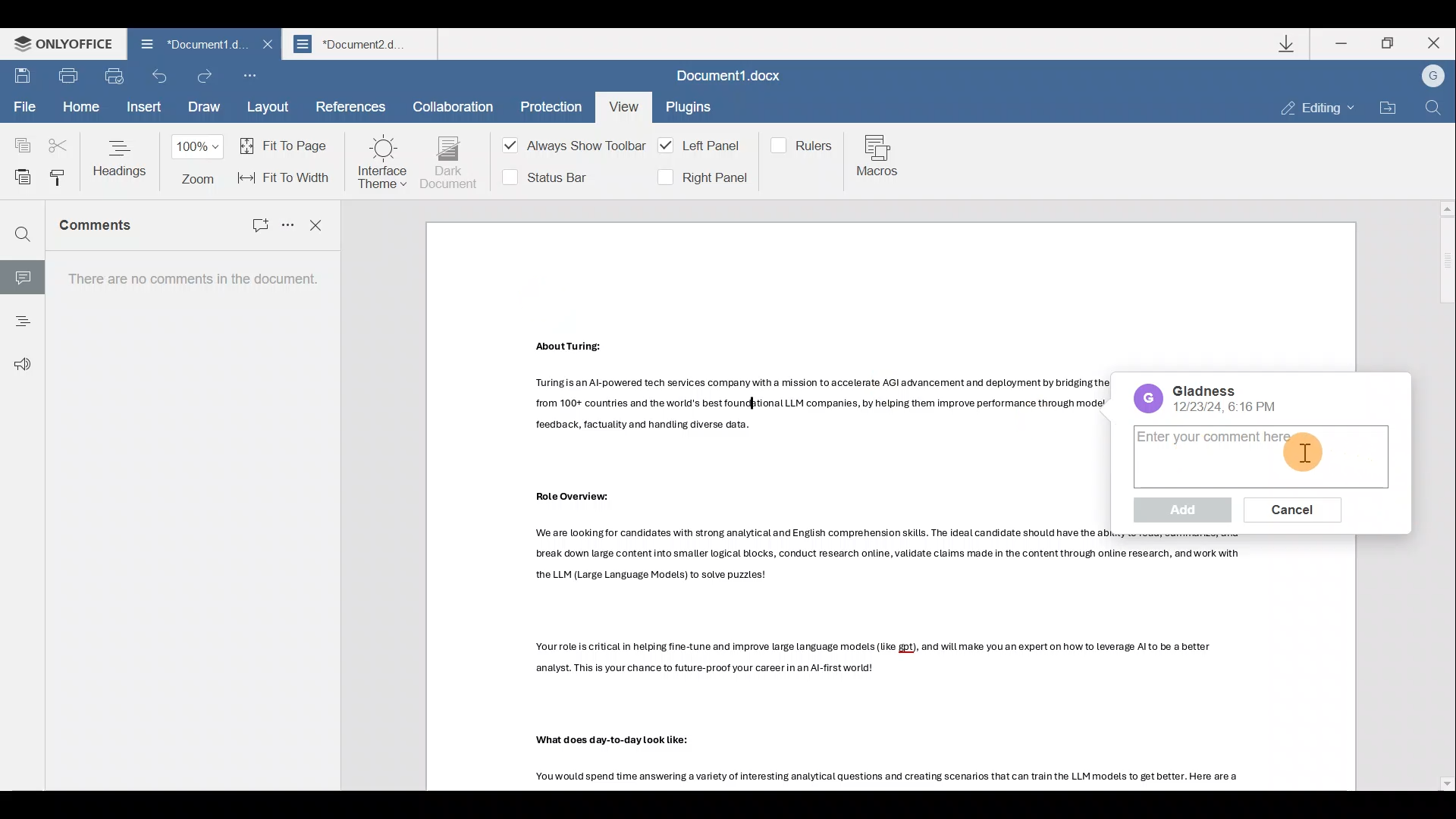  What do you see at coordinates (59, 45) in the screenshot?
I see `ONLYOFFICE` at bounding box center [59, 45].